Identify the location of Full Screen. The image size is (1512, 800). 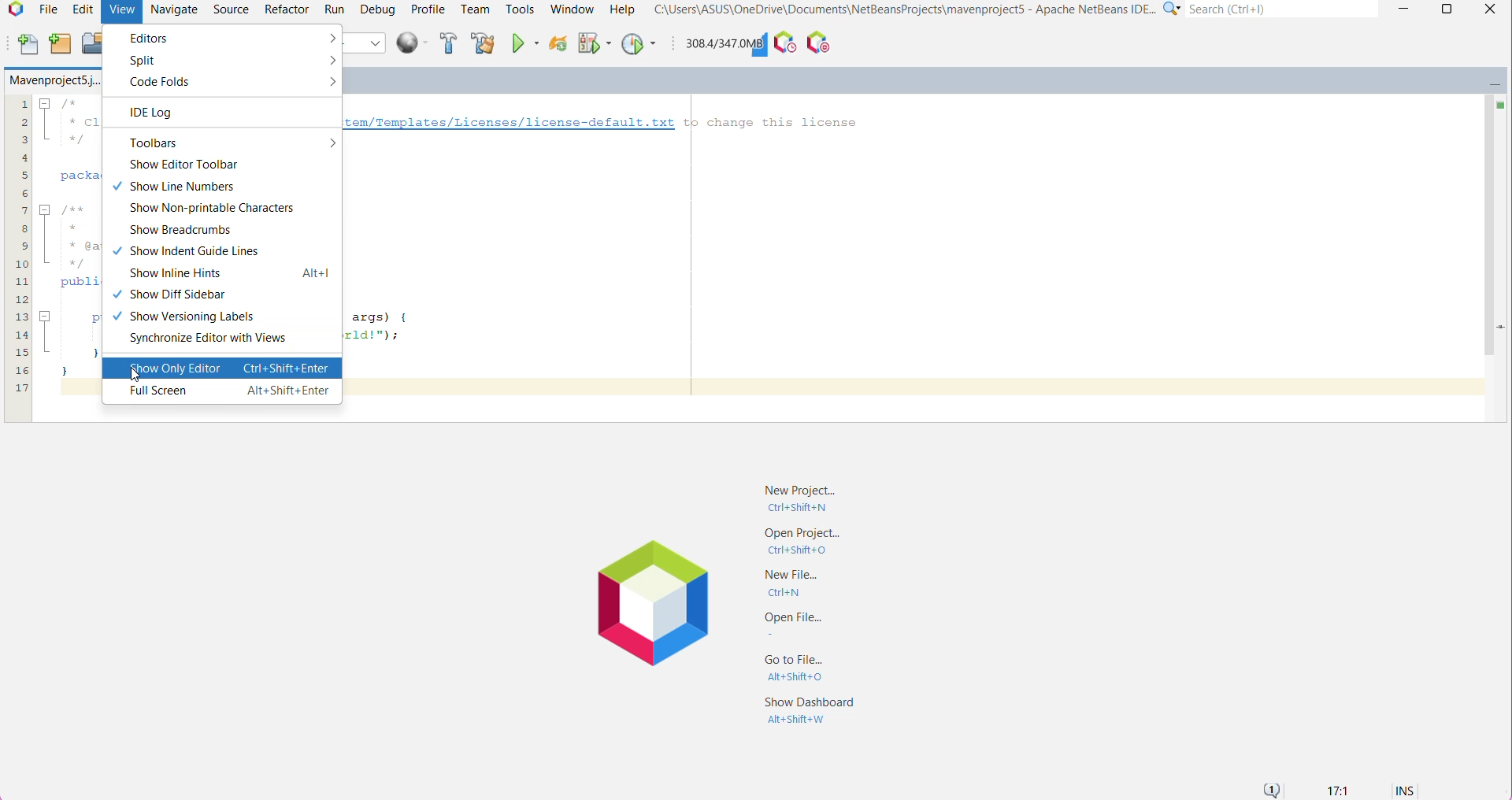
(222, 391).